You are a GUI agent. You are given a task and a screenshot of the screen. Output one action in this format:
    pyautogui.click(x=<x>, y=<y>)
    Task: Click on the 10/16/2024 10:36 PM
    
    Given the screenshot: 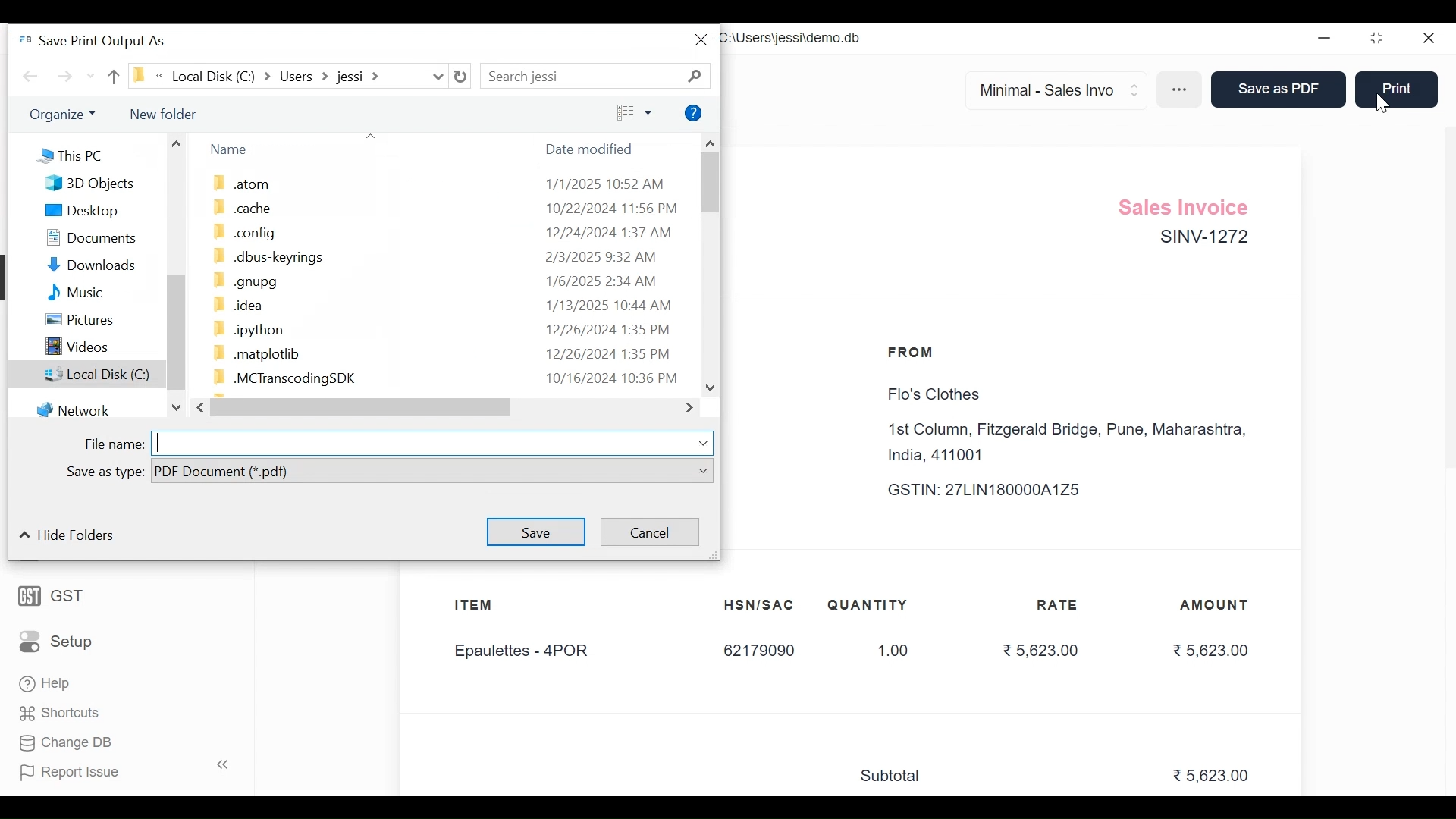 What is the action you would take?
    pyautogui.click(x=610, y=378)
    